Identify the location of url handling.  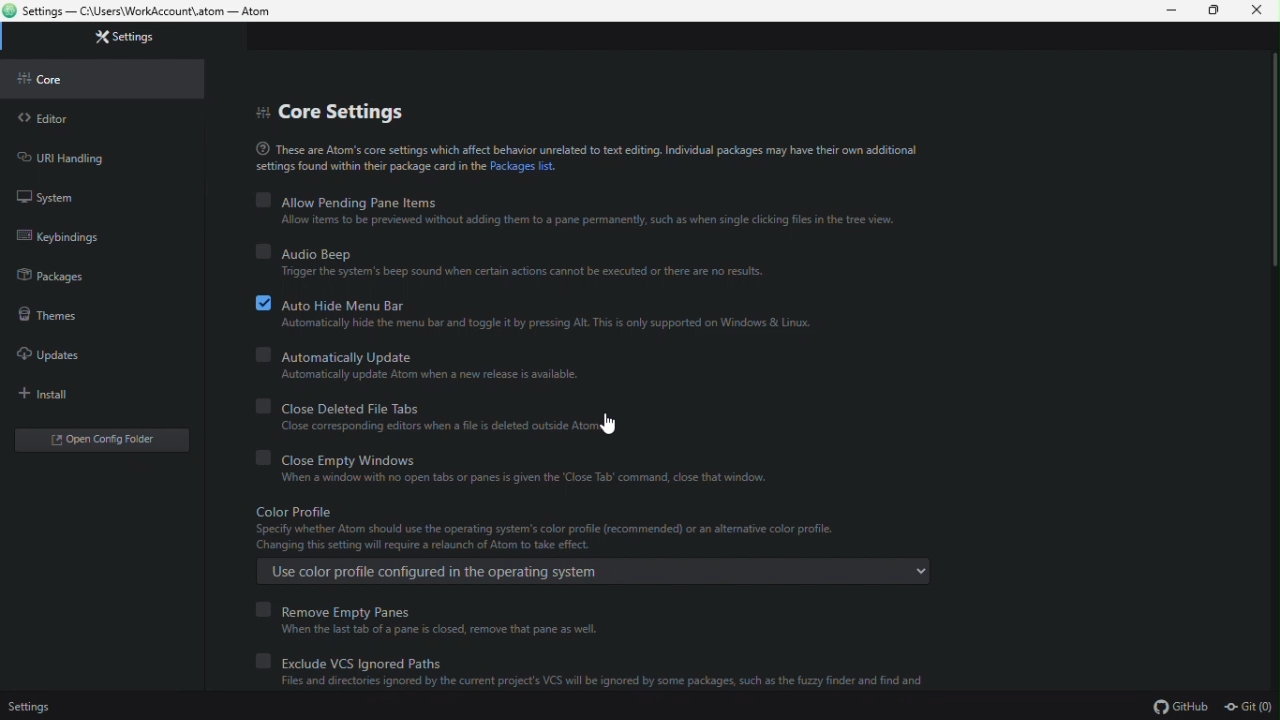
(82, 155).